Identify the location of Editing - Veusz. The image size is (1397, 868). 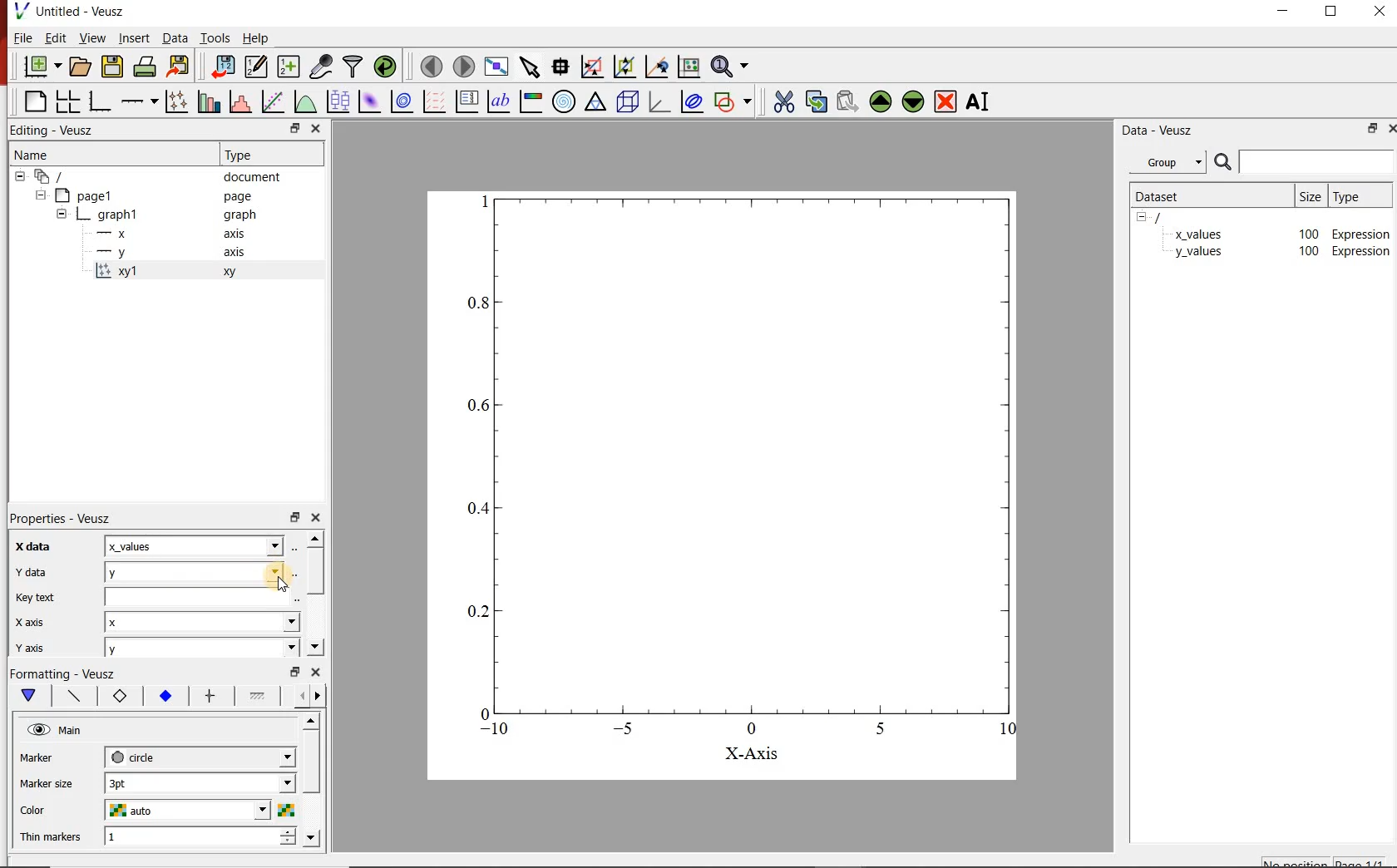
(53, 131).